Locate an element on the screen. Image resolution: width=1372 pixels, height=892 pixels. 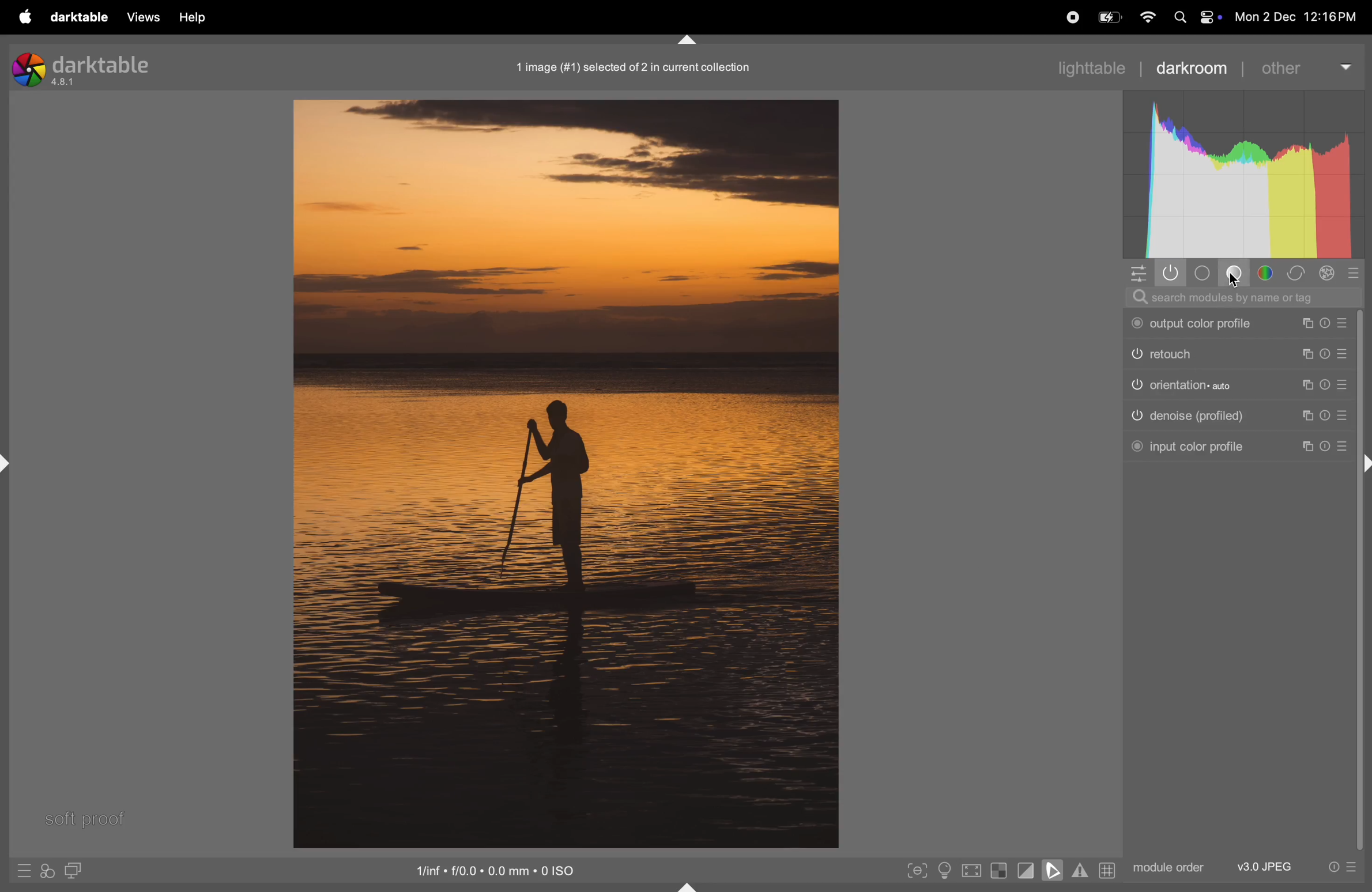
 is located at coordinates (566, 475).